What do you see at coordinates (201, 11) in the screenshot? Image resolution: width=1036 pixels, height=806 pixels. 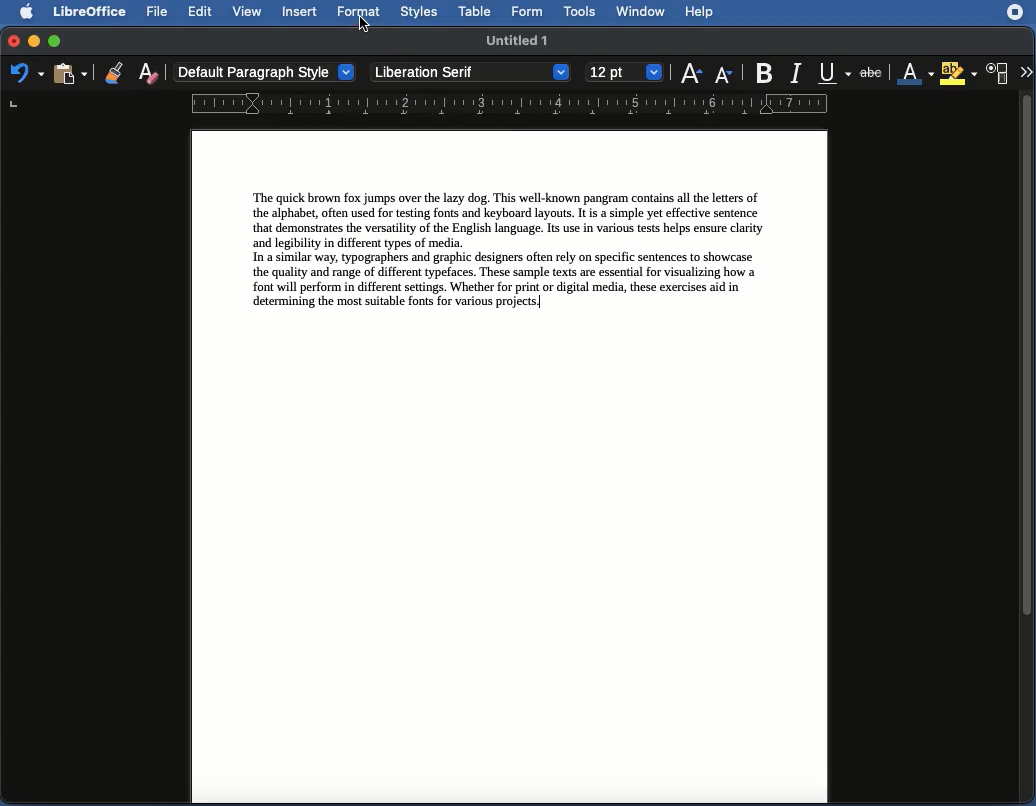 I see `Edit` at bounding box center [201, 11].